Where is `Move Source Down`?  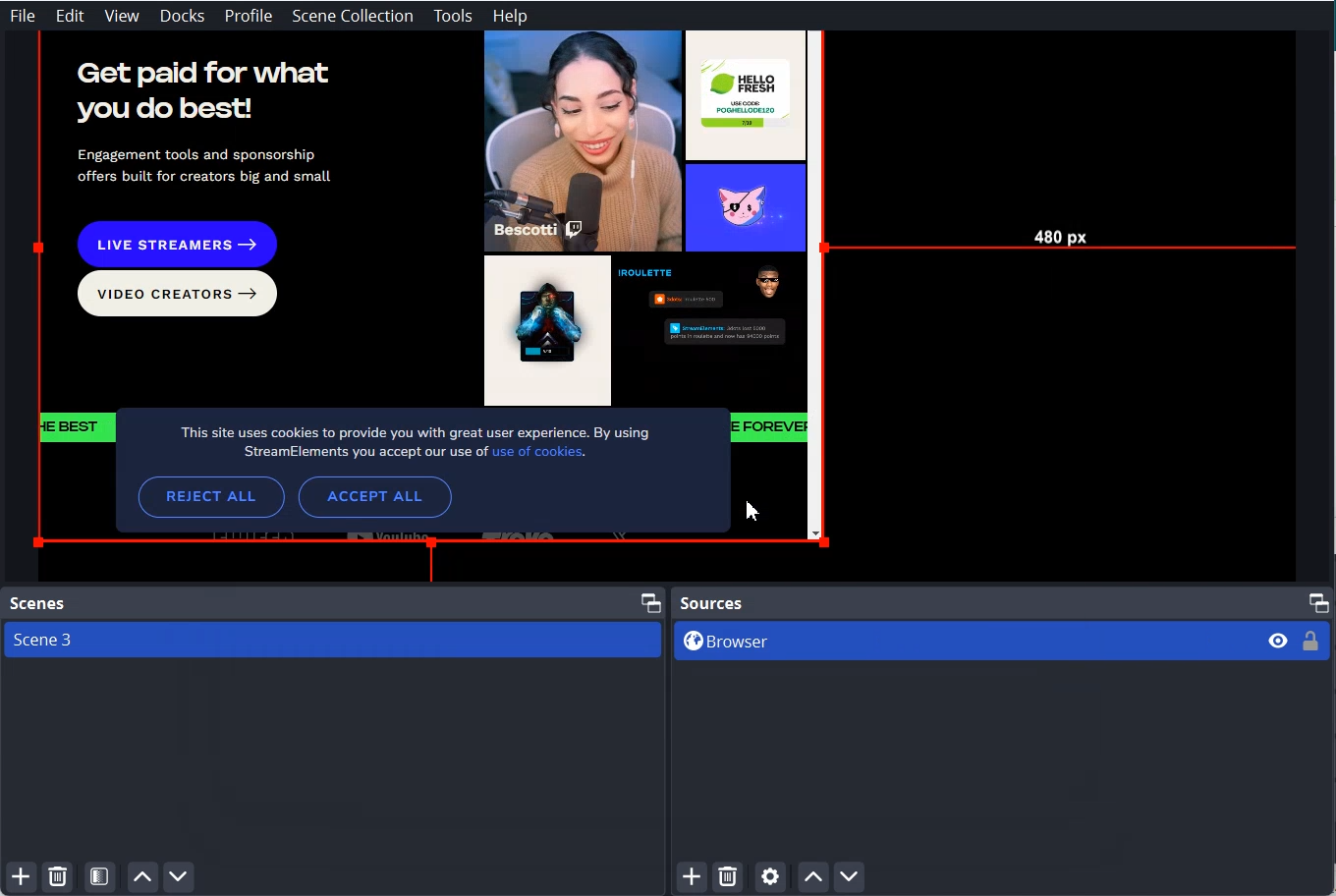
Move Source Down is located at coordinates (850, 875).